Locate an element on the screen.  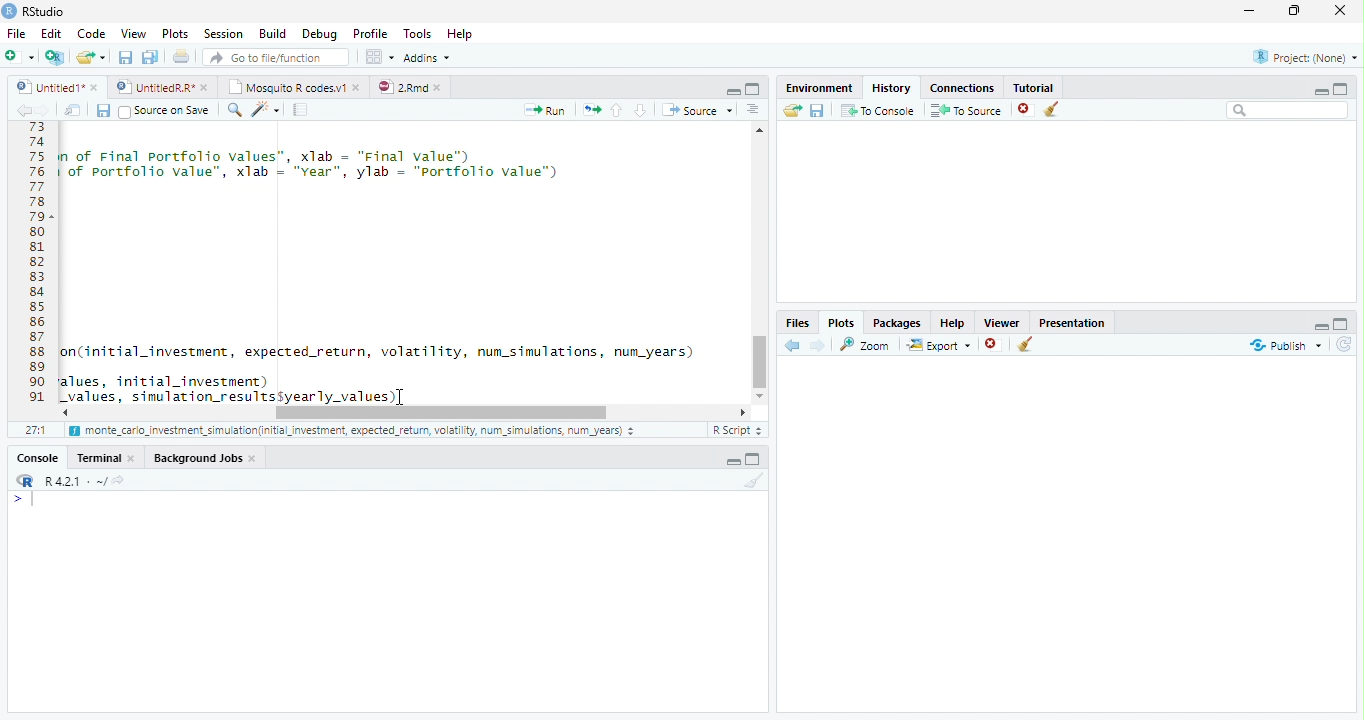
Zoom is located at coordinates (866, 344).